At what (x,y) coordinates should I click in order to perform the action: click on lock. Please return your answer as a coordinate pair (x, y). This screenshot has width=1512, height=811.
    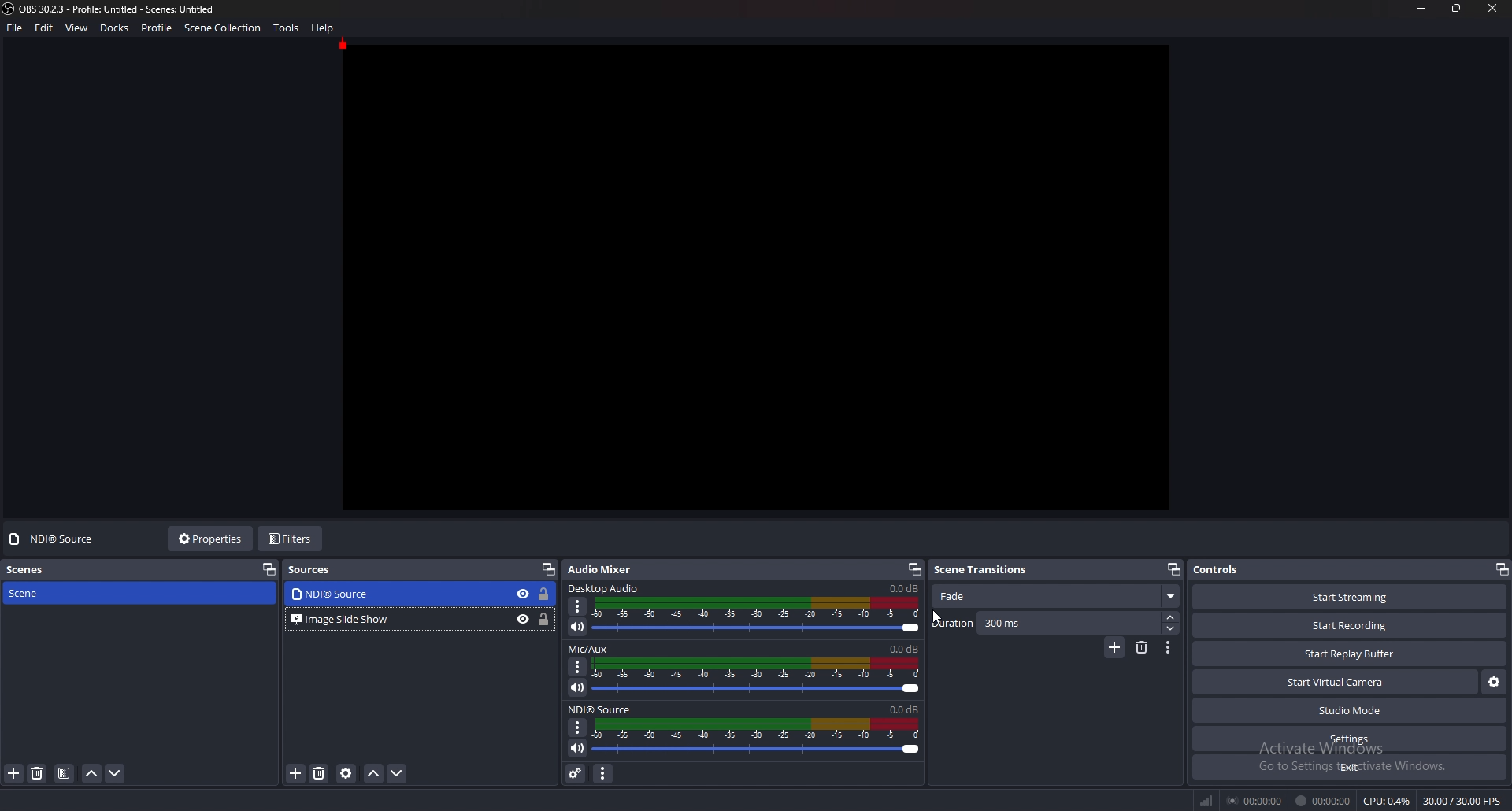
    Looking at the image, I should click on (544, 594).